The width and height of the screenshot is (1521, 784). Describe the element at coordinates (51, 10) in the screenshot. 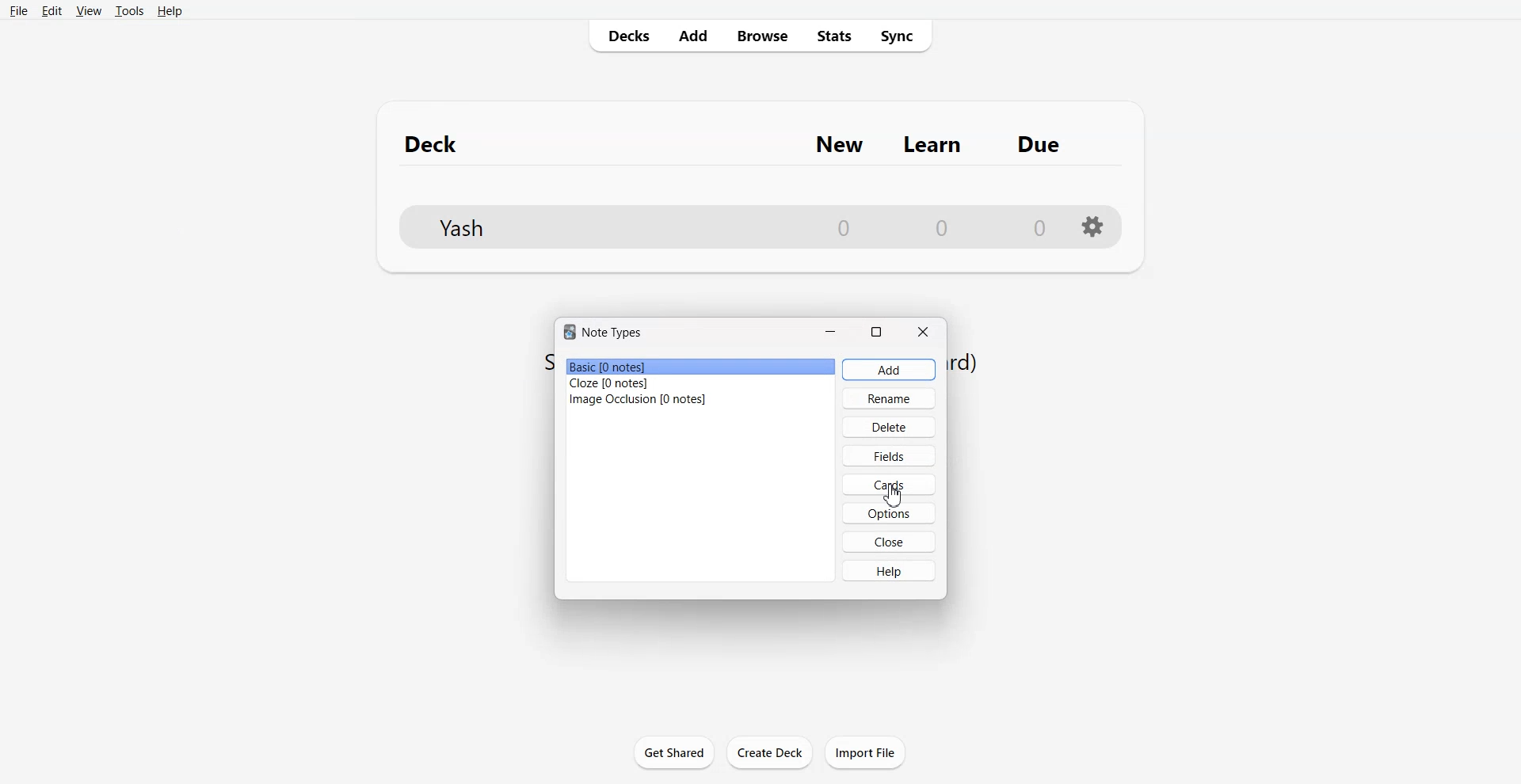

I see `Edit` at that location.